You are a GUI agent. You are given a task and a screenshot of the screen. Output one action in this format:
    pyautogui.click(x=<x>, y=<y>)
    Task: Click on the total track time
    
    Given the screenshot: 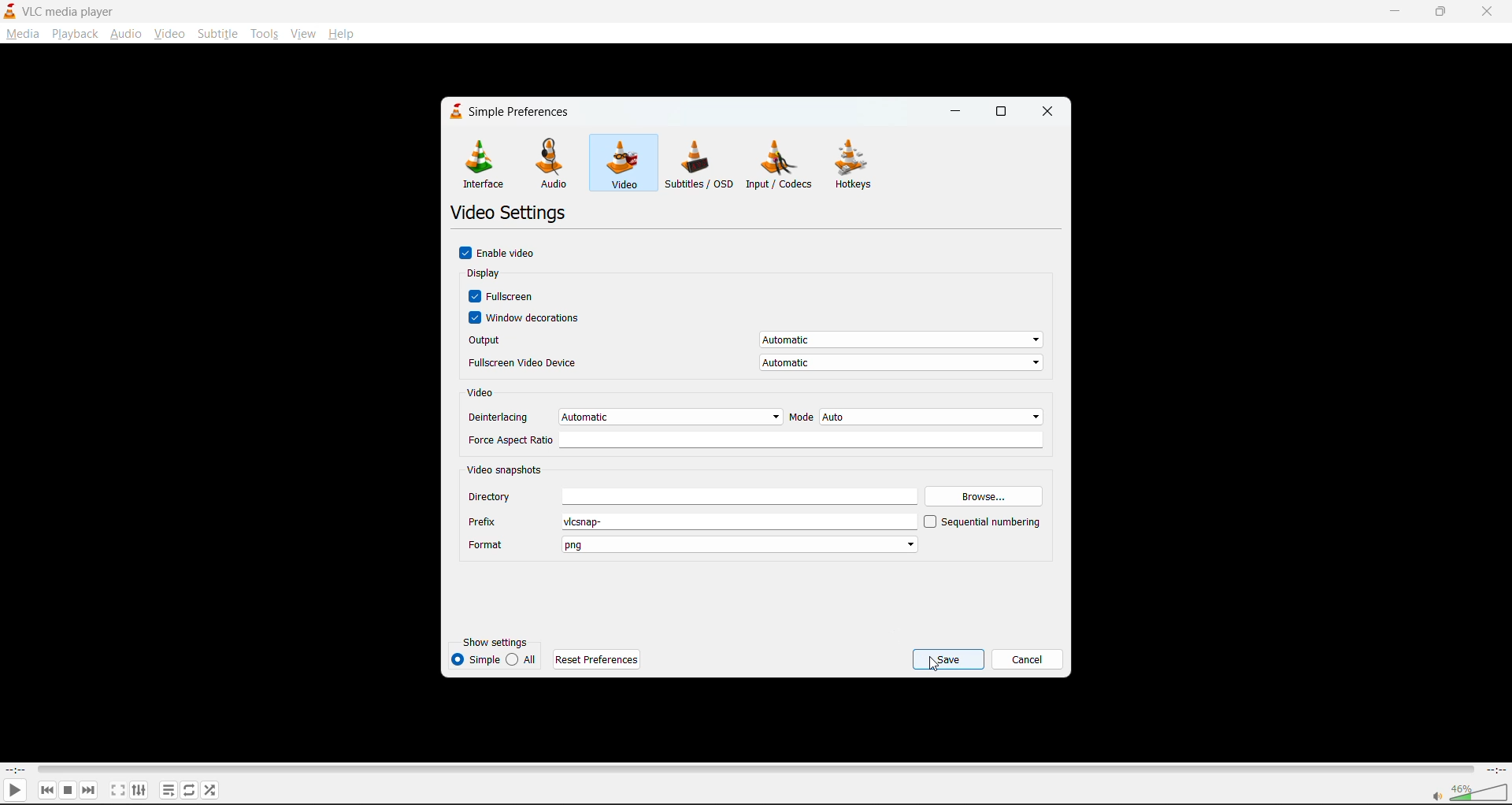 What is the action you would take?
    pyautogui.click(x=1495, y=769)
    